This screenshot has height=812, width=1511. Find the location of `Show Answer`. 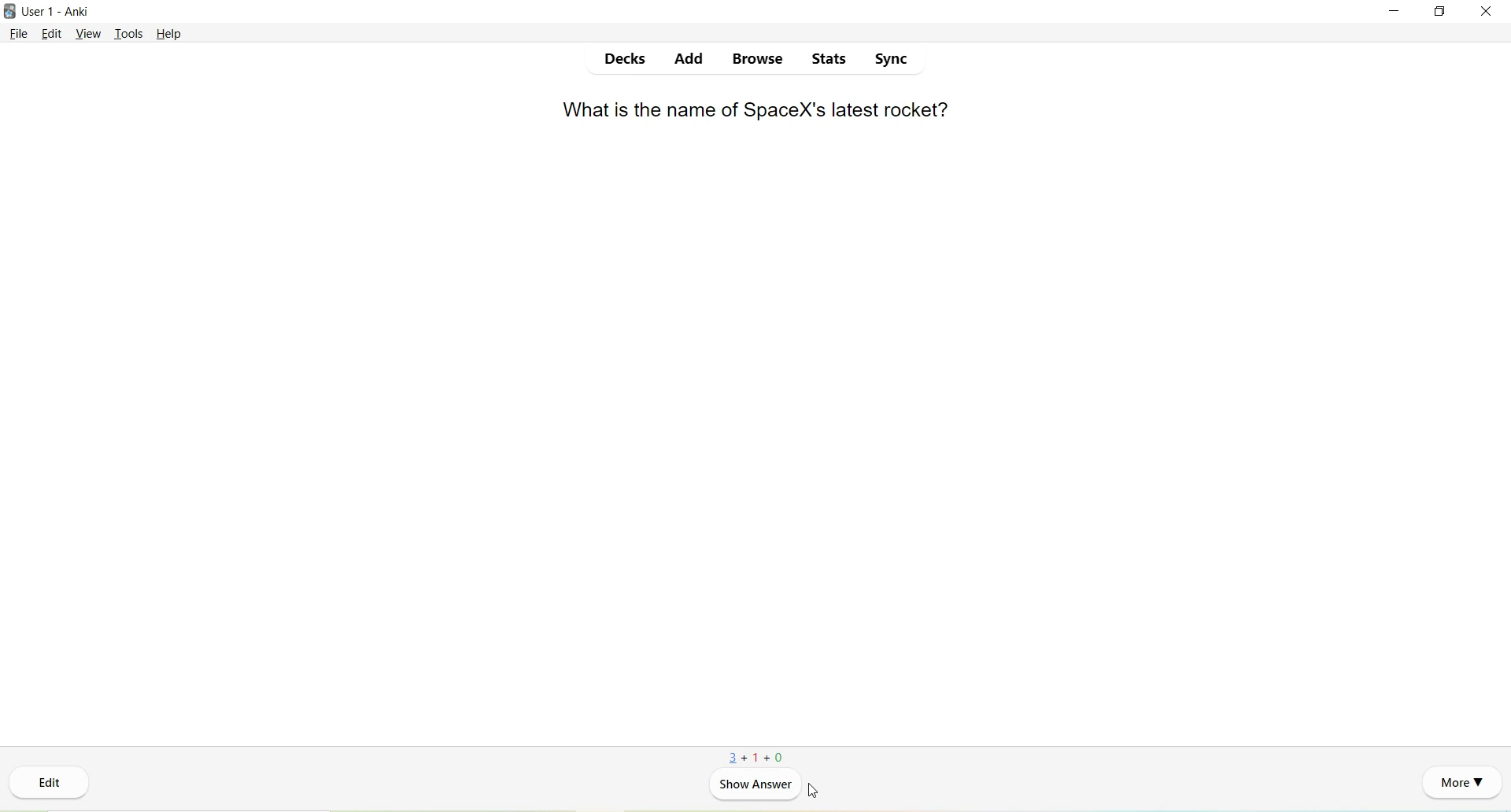

Show Answer is located at coordinates (755, 787).